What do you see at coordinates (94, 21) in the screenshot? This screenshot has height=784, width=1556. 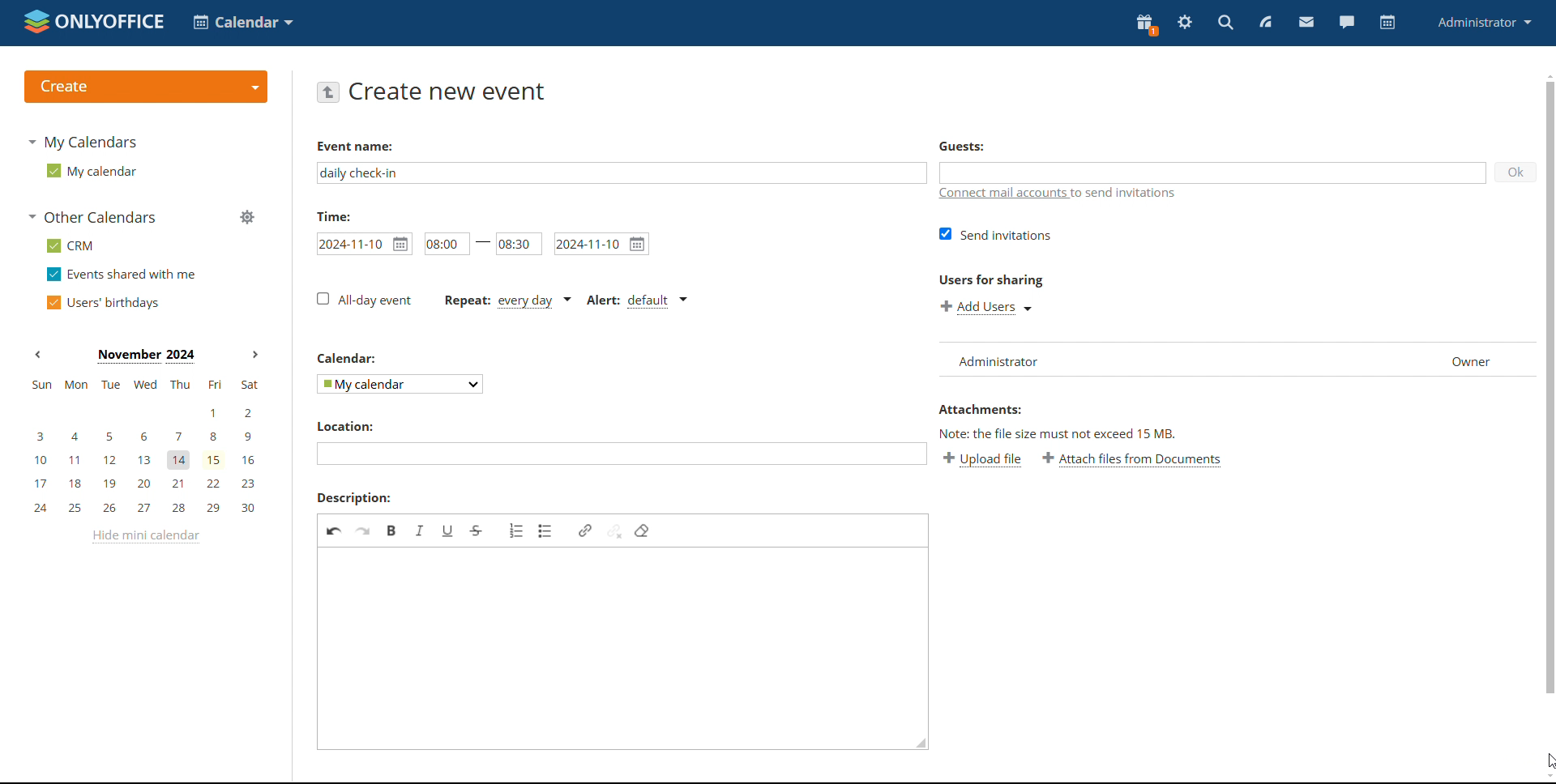 I see `logo` at bounding box center [94, 21].